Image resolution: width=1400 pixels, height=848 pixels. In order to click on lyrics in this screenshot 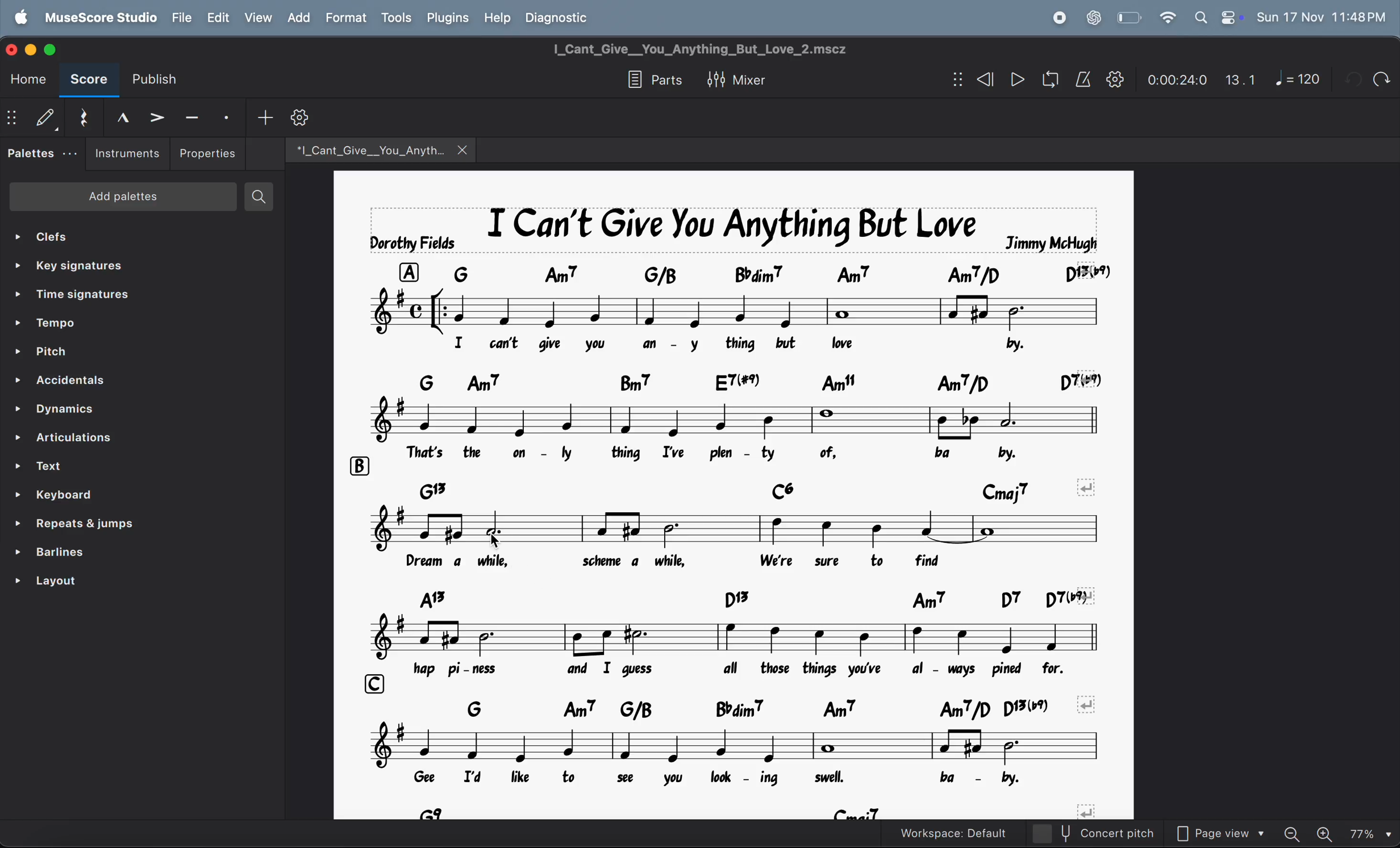, I will do `click(695, 561)`.